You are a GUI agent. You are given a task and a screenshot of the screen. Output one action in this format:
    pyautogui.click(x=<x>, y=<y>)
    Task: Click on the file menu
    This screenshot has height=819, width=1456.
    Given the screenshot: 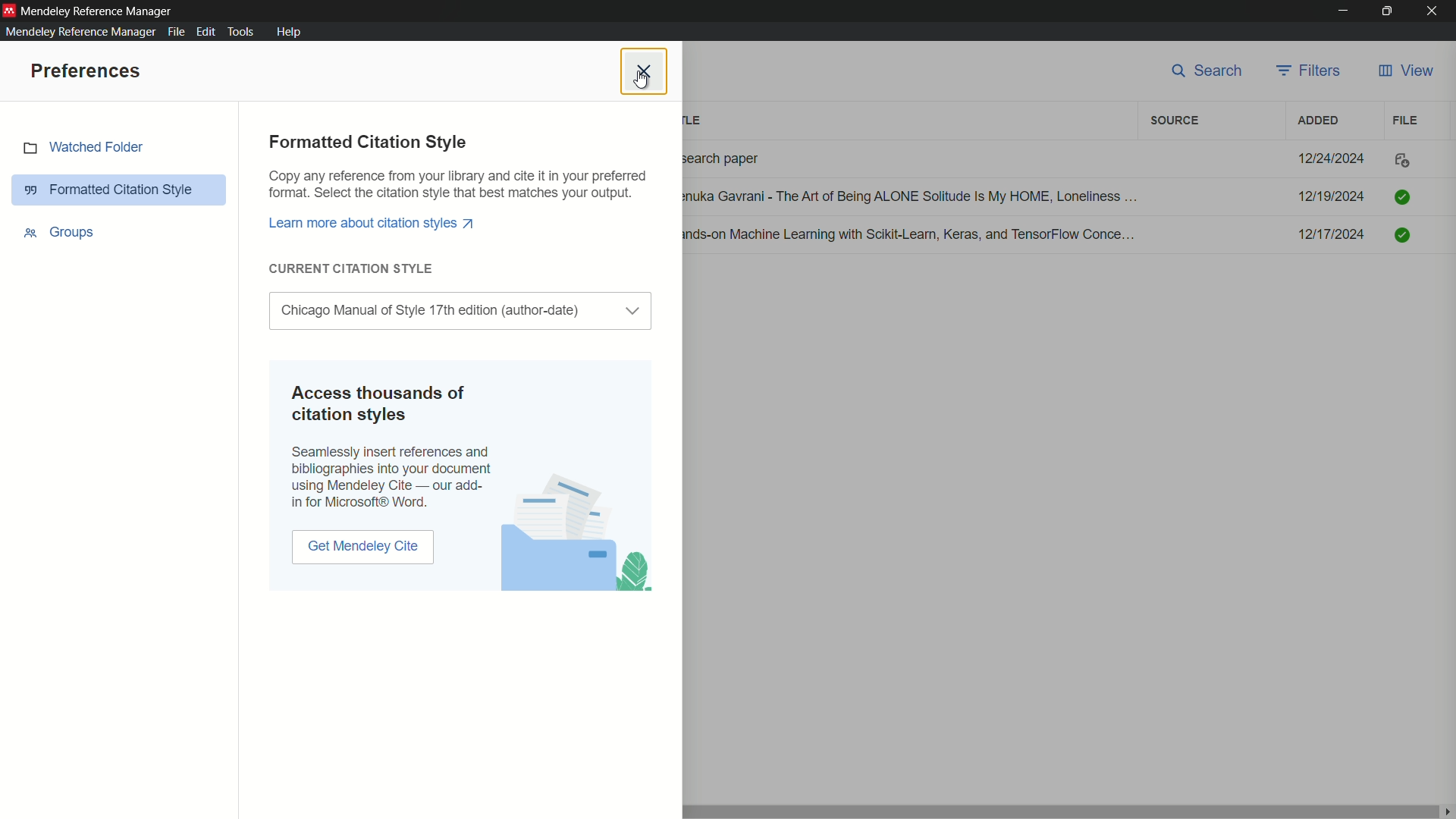 What is the action you would take?
    pyautogui.click(x=174, y=32)
    